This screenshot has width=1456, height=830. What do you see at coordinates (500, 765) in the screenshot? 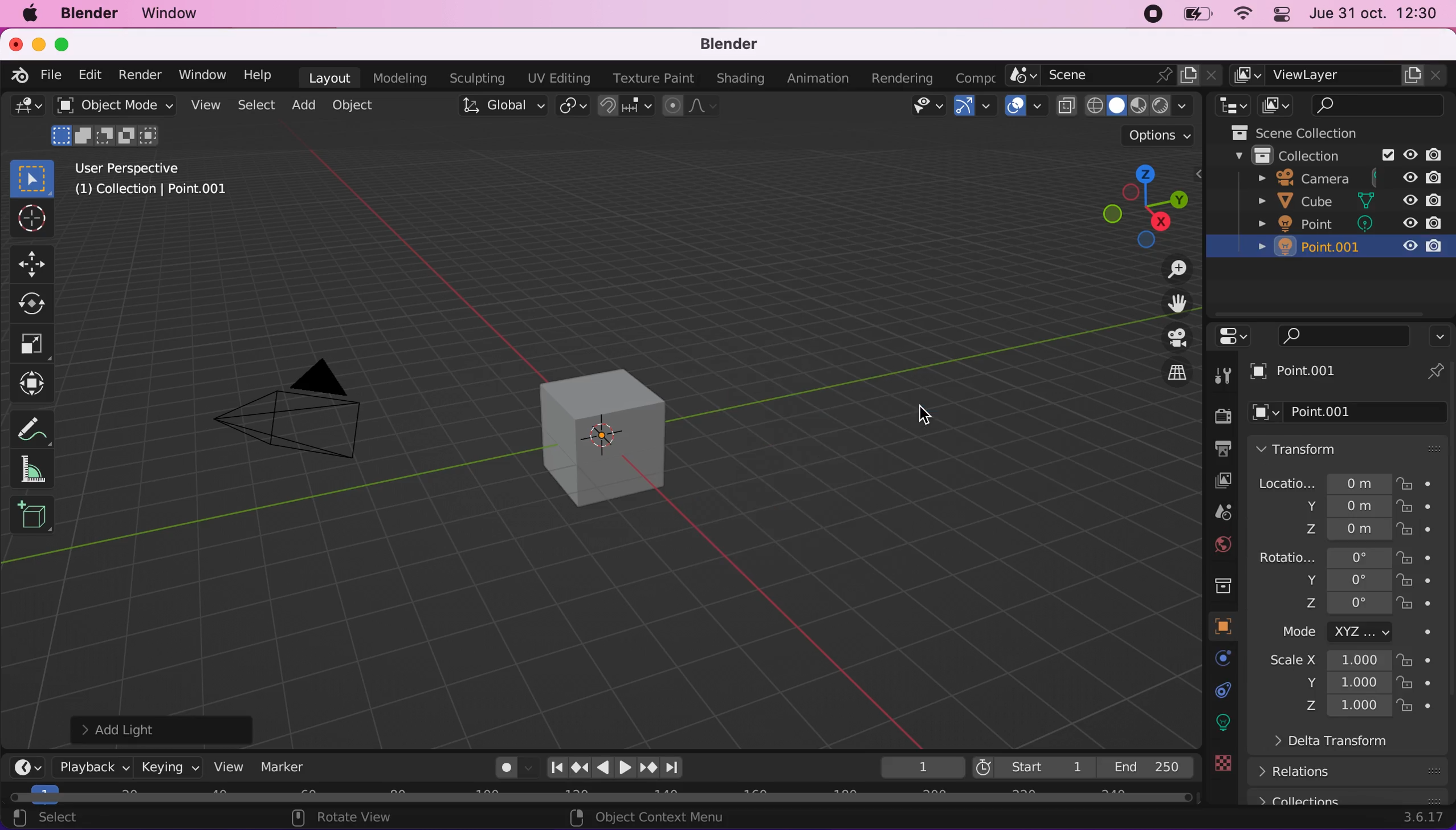
I see `auto keying` at bounding box center [500, 765].